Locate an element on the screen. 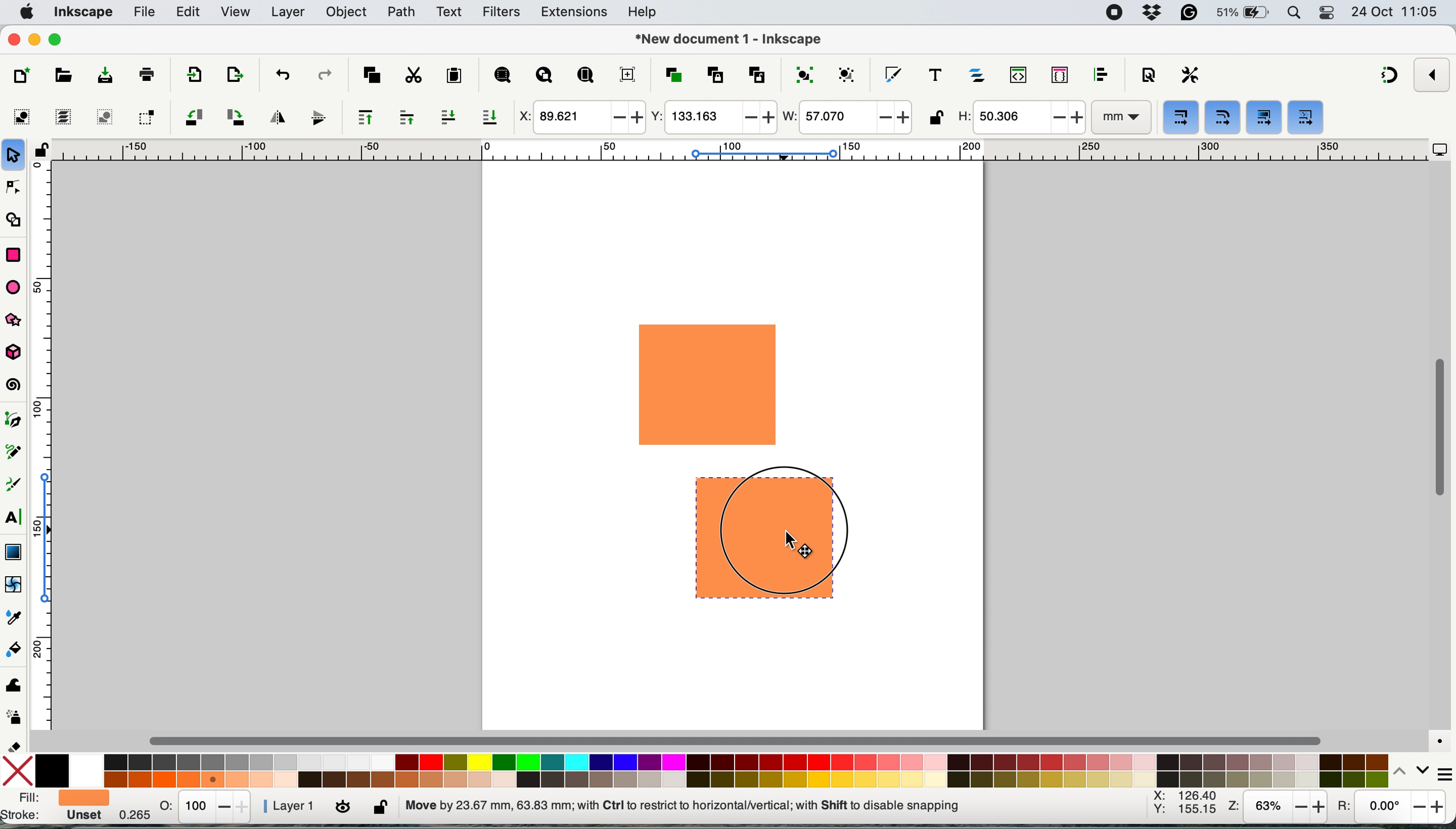 This screenshot has width=1456, height=829. y coordinate is located at coordinates (712, 117).